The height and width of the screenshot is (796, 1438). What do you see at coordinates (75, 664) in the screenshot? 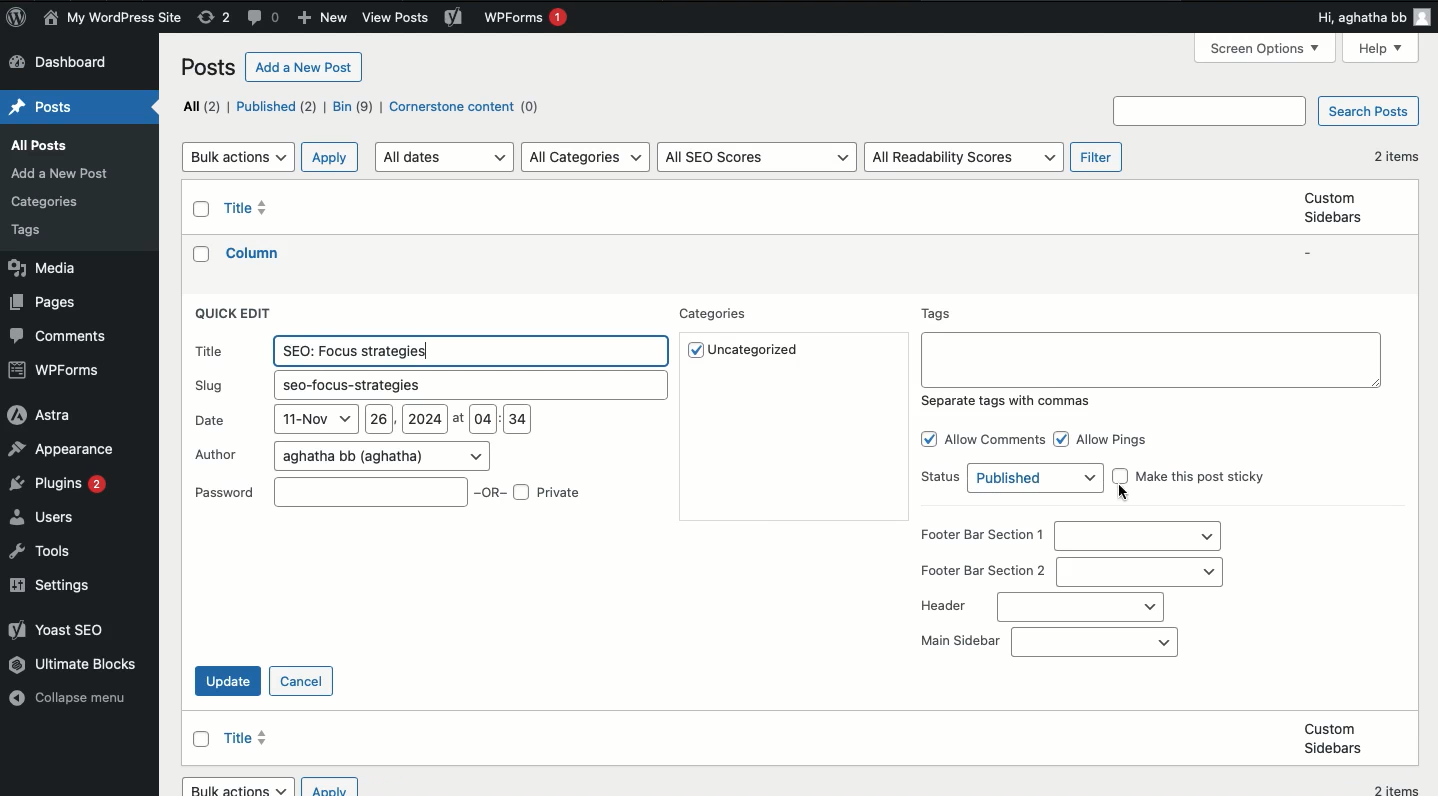
I see `Ultimate blocks` at bounding box center [75, 664].